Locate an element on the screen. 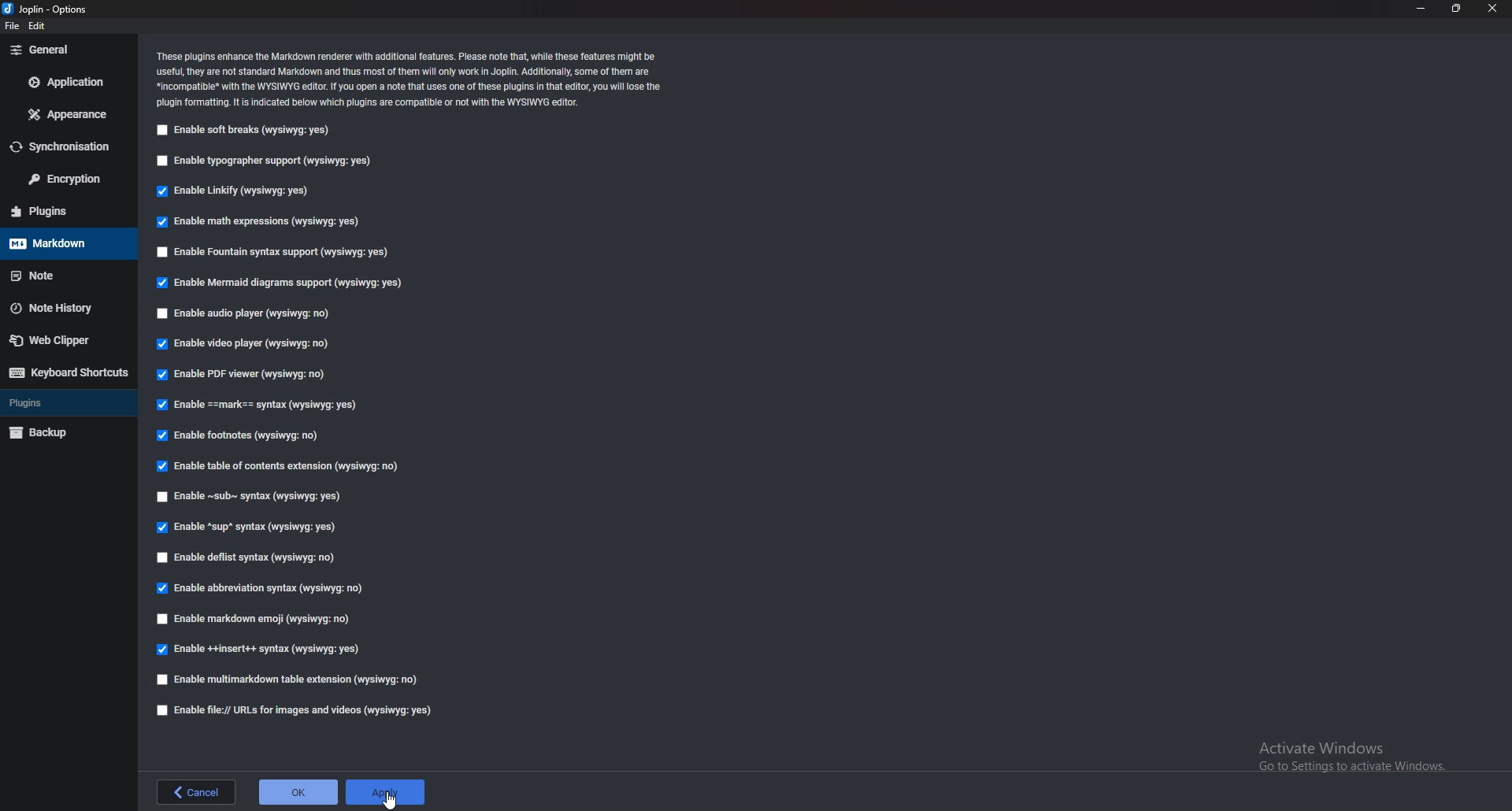 Image resolution: width=1512 pixels, height=811 pixels. back is located at coordinates (196, 794).